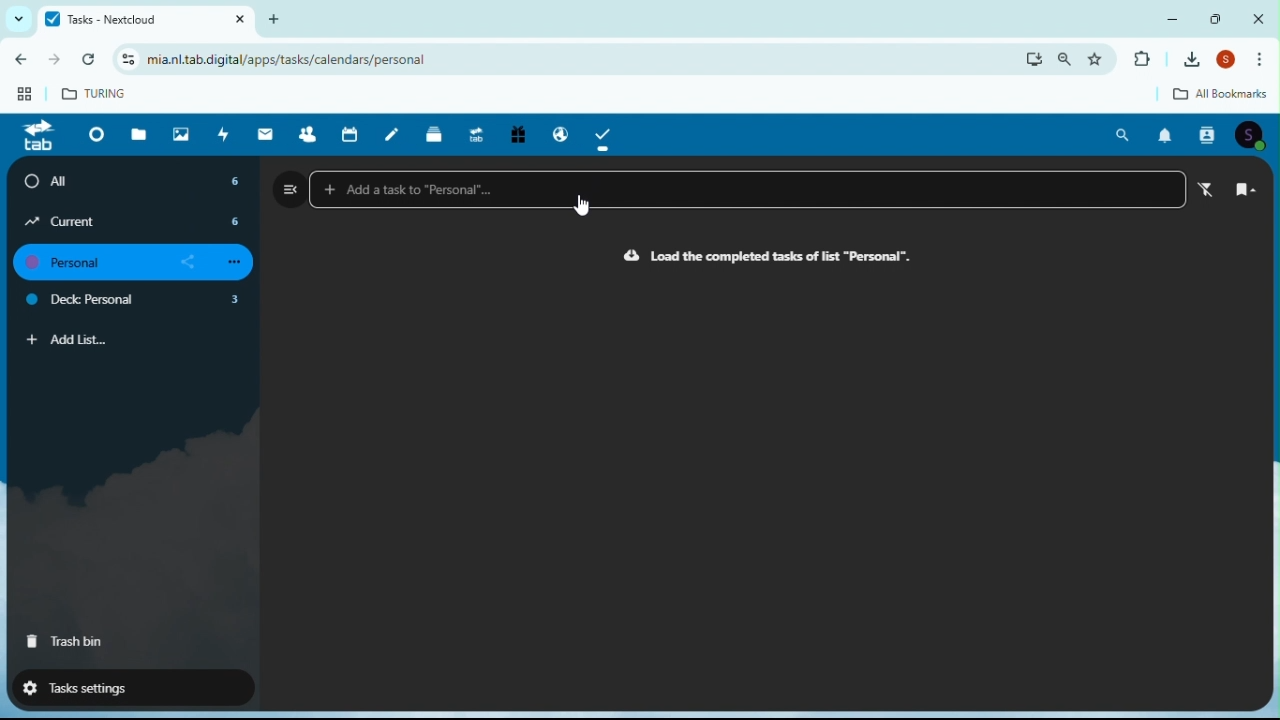  Describe the element at coordinates (605, 134) in the screenshot. I see `Task` at that location.